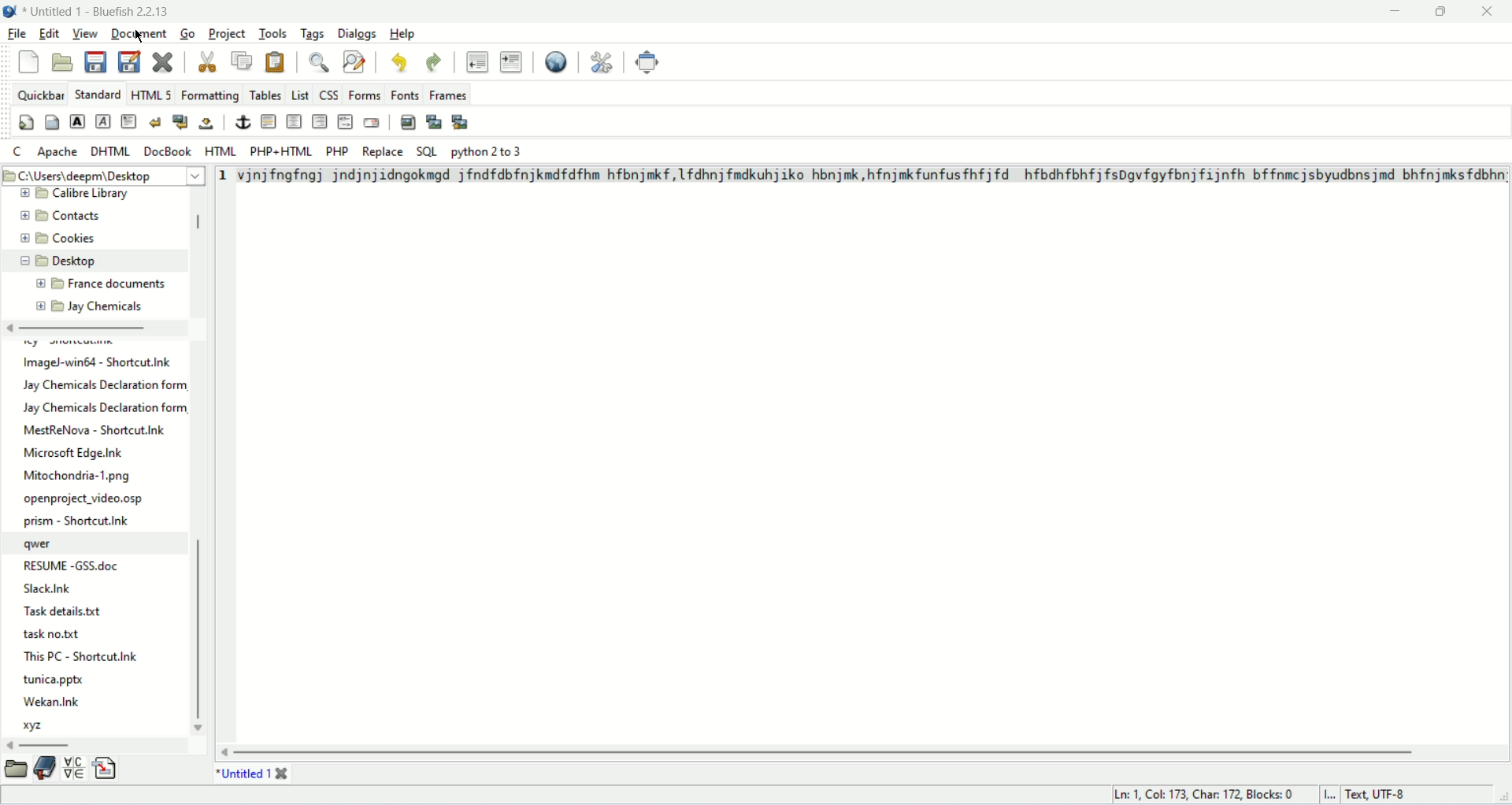  I want to click on quickstart, so click(25, 123).